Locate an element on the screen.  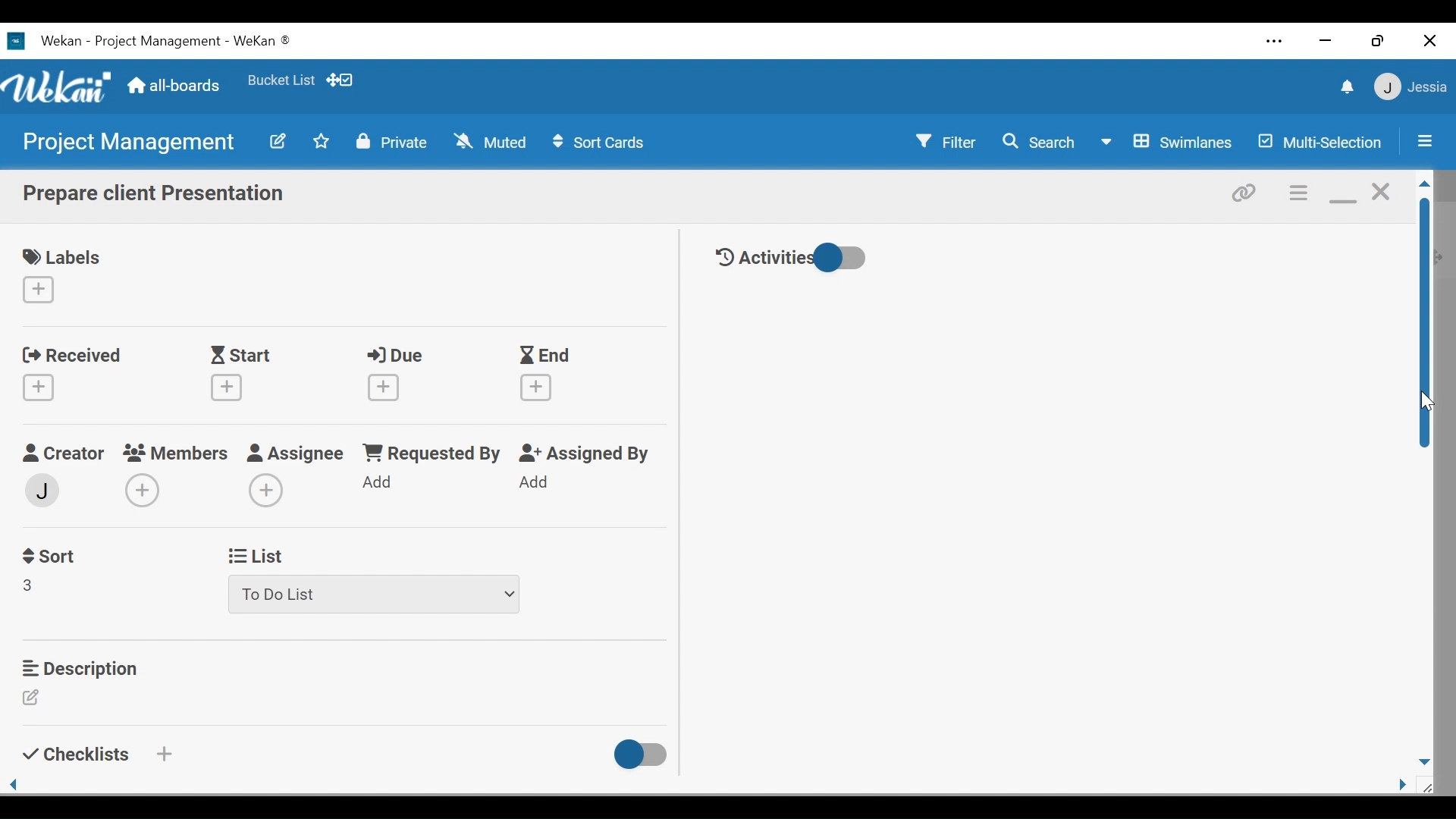
Copy link to card is located at coordinates (1240, 193).